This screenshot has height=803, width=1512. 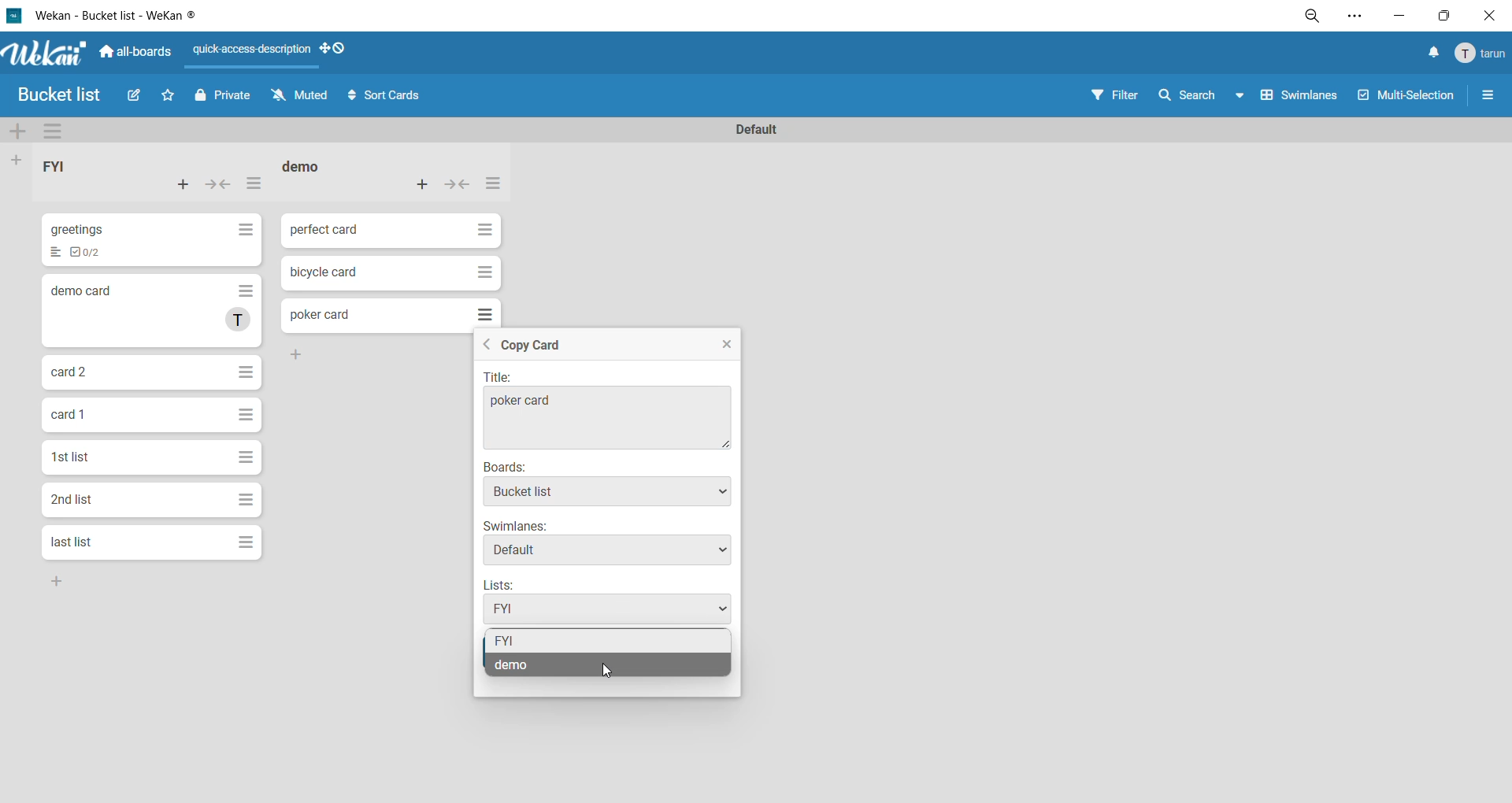 I want to click on Wekan - Bucket list - WeKan, so click(x=108, y=16).